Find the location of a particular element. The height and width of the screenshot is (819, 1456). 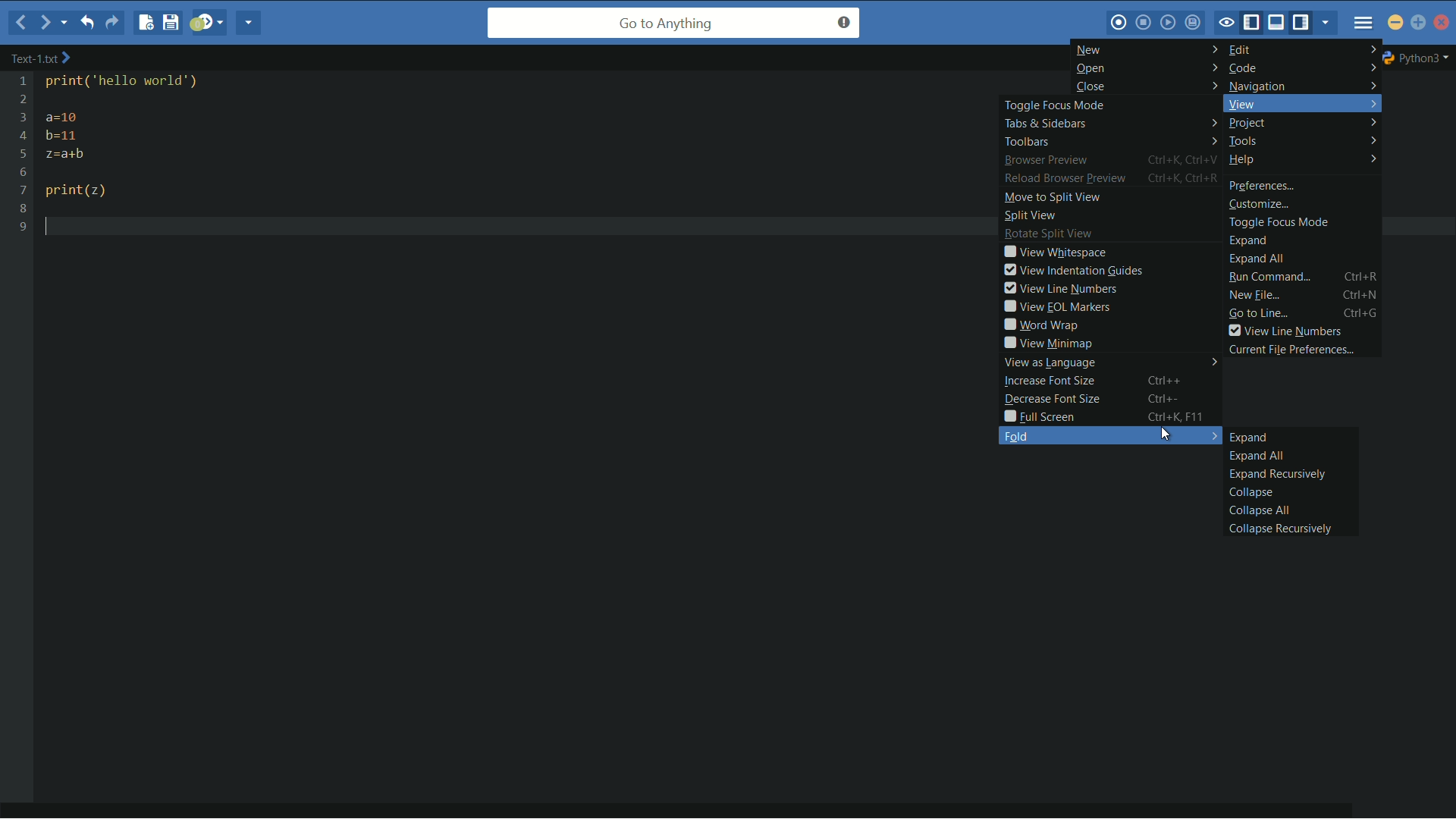

view indentation guides is located at coordinates (1072, 270).